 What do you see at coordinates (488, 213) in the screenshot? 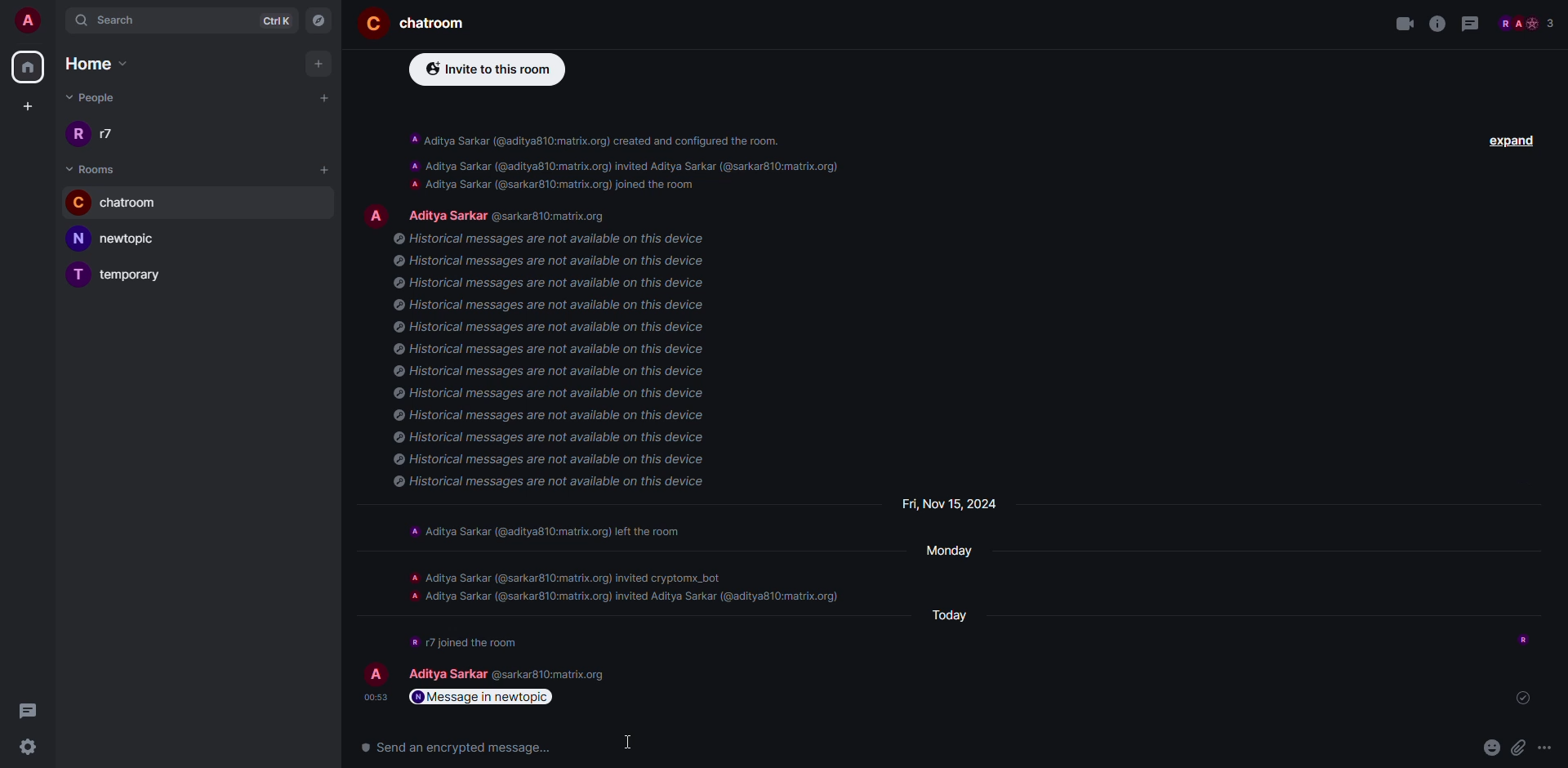
I see `A Aditya Sarkar @sarkar810:matrix.org` at bounding box center [488, 213].